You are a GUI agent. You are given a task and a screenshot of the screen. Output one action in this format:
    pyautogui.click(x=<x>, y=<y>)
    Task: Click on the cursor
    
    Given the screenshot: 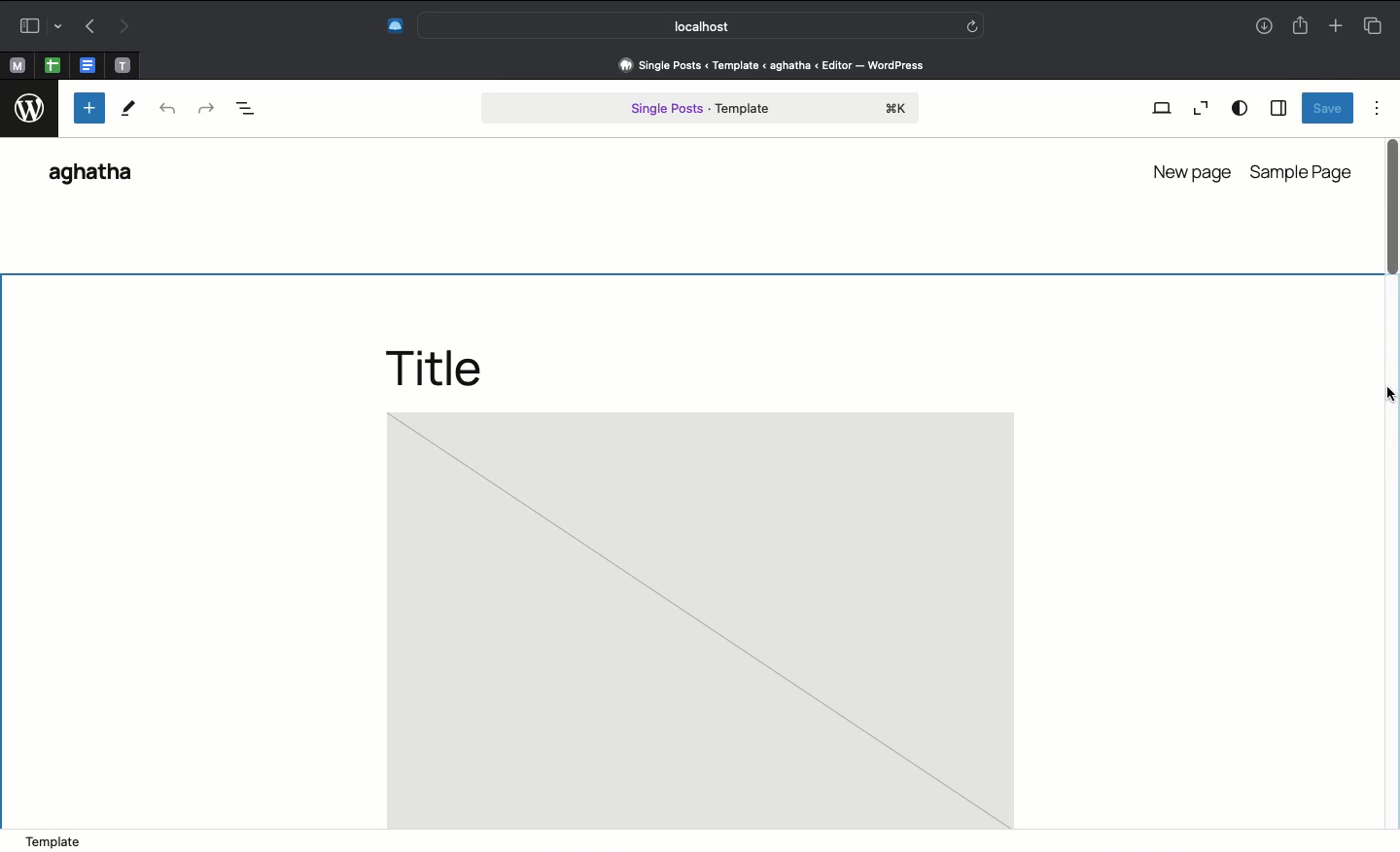 What is the action you would take?
    pyautogui.click(x=1386, y=397)
    